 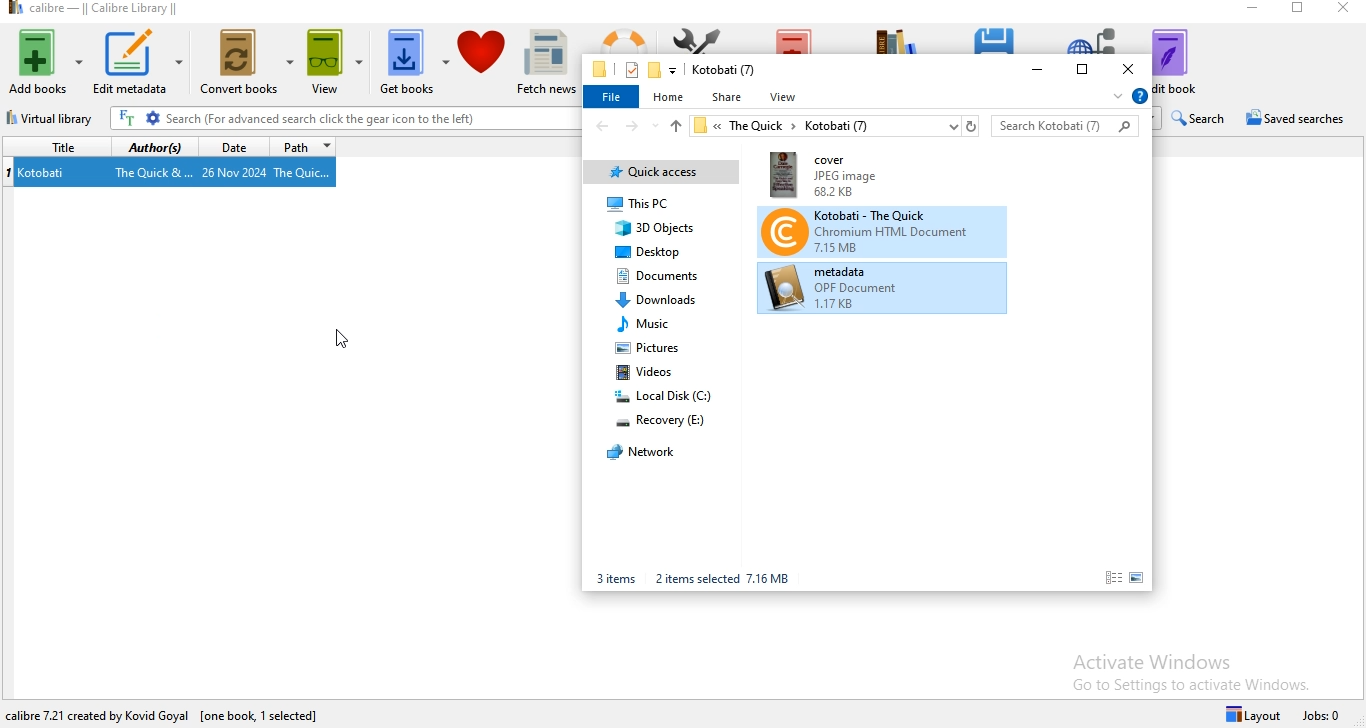 I want to click on back, so click(x=601, y=126).